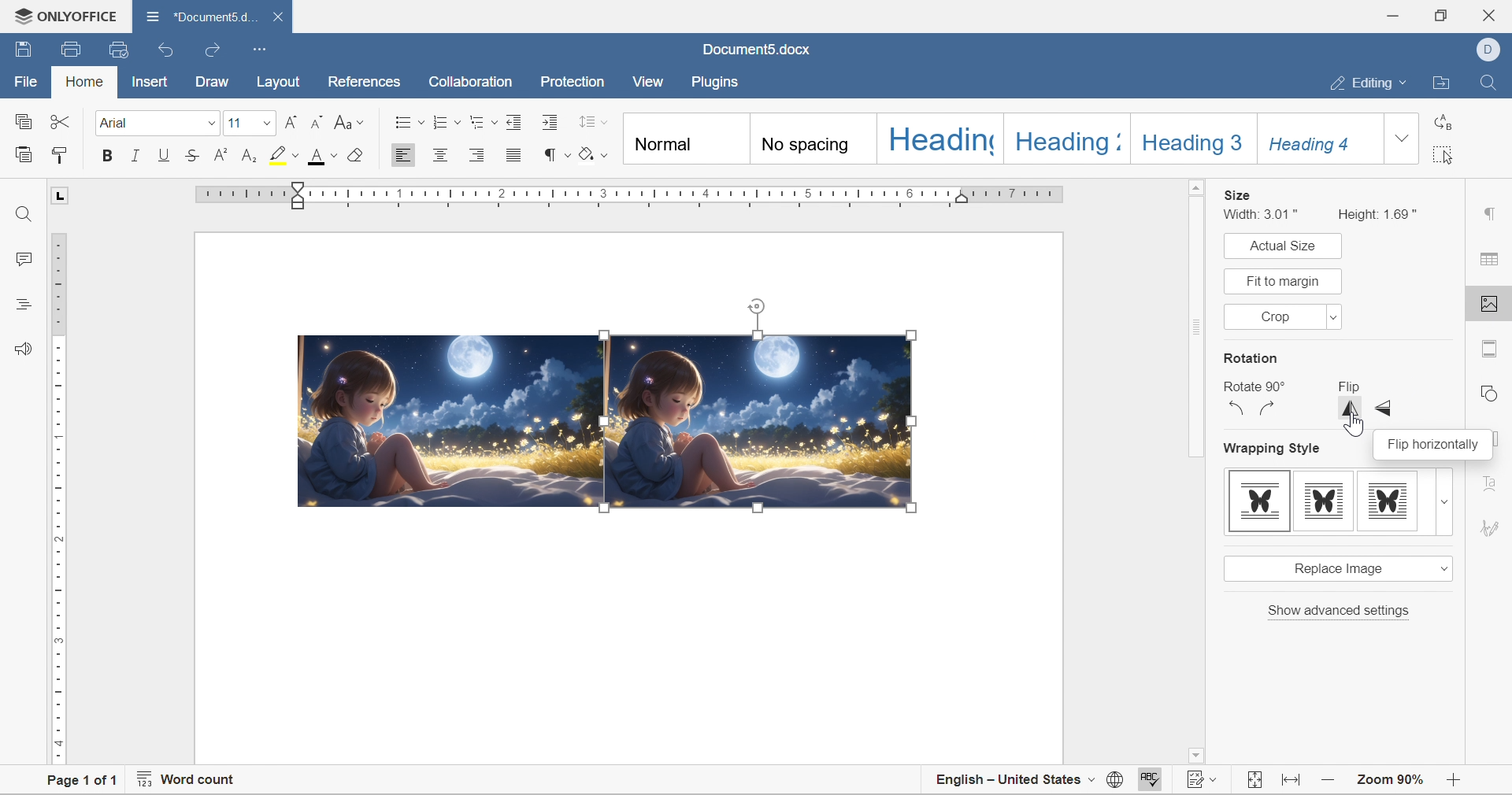 The image size is (1512, 795). What do you see at coordinates (66, 16) in the screenshot?
I see `ONLYOFFICE` at bounding box center [66, 16].